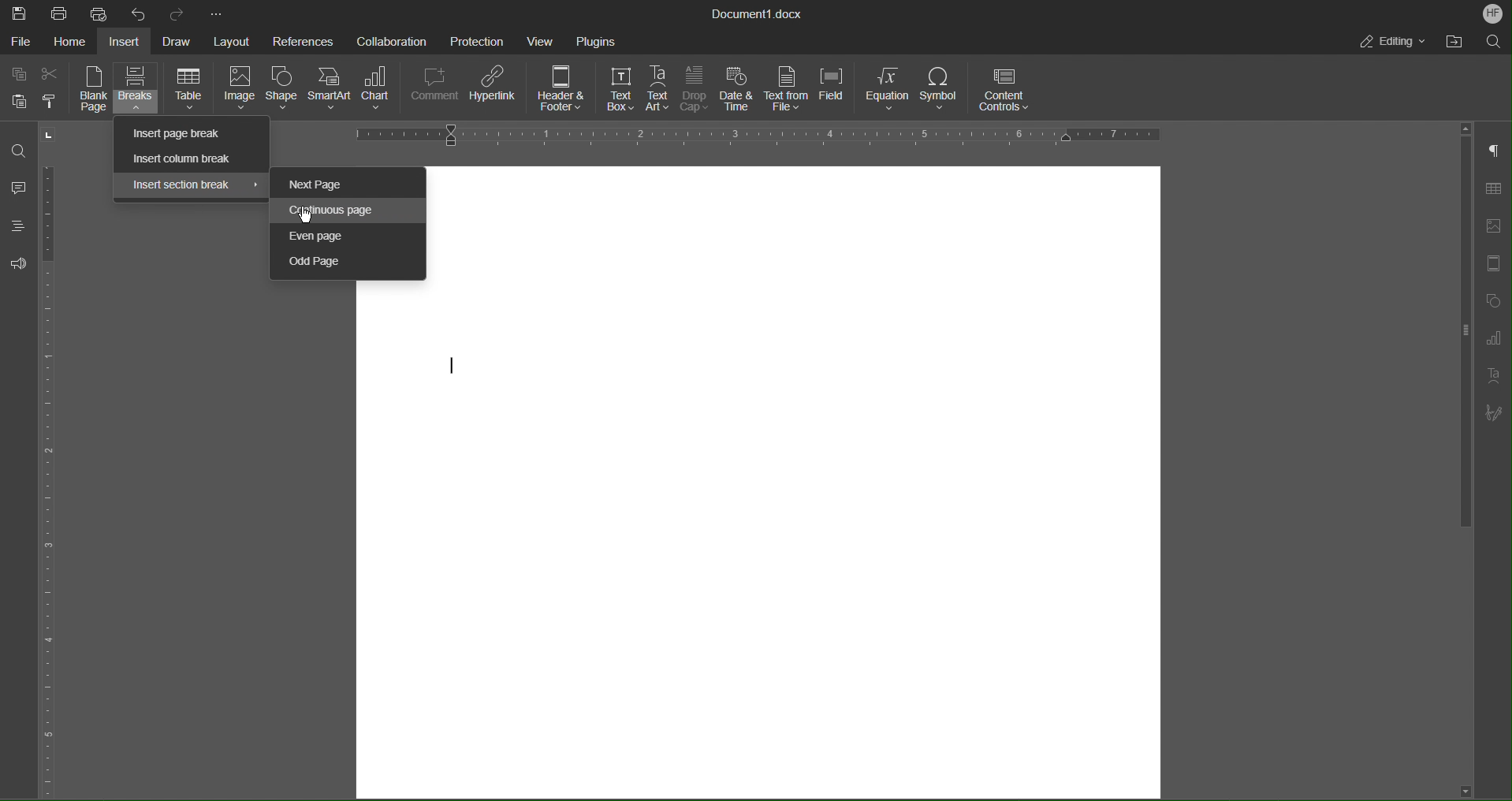 This screenshot has width=1512, height=801. Describe the element at coordinates (51, 102) in the screenshot. I see `Copy Style` at that location.